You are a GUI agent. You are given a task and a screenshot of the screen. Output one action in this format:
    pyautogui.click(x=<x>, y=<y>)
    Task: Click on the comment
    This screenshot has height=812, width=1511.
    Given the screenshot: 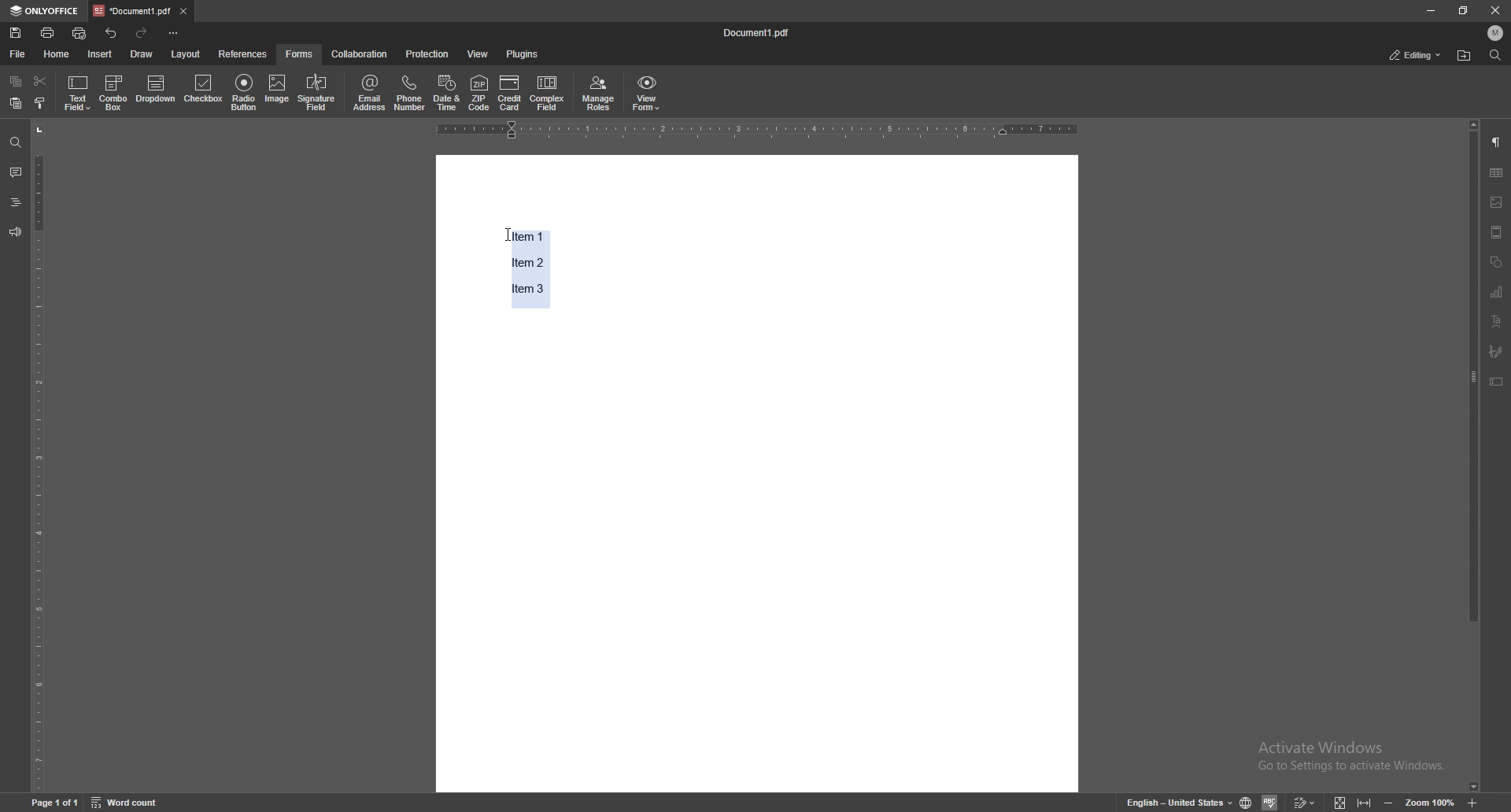 What is the action you would take?
    pyautogui.click(x=16, y=172)
    